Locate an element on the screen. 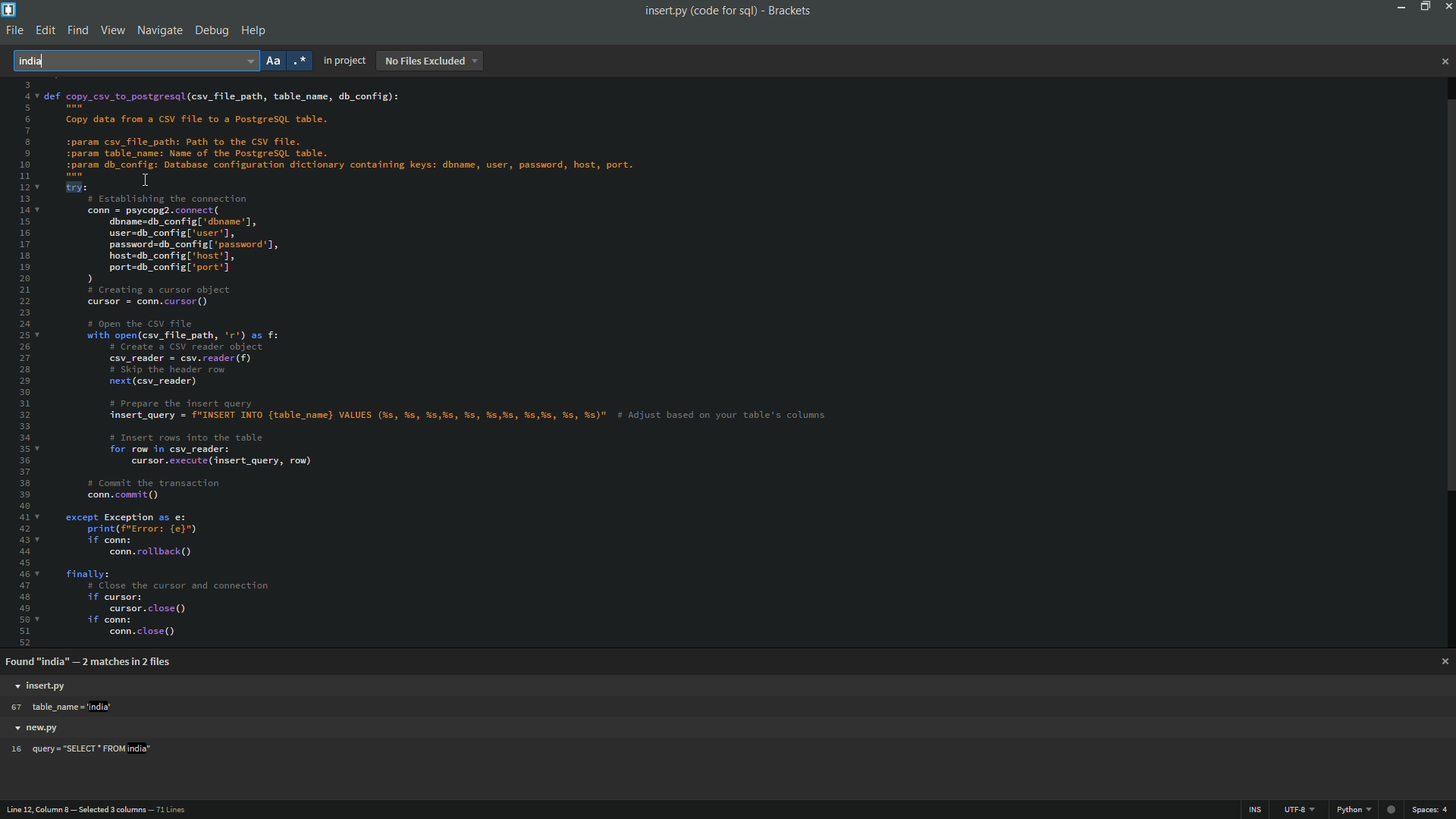 The image size is (1456, 819). file encoding is located at coordinates (1301, 811).